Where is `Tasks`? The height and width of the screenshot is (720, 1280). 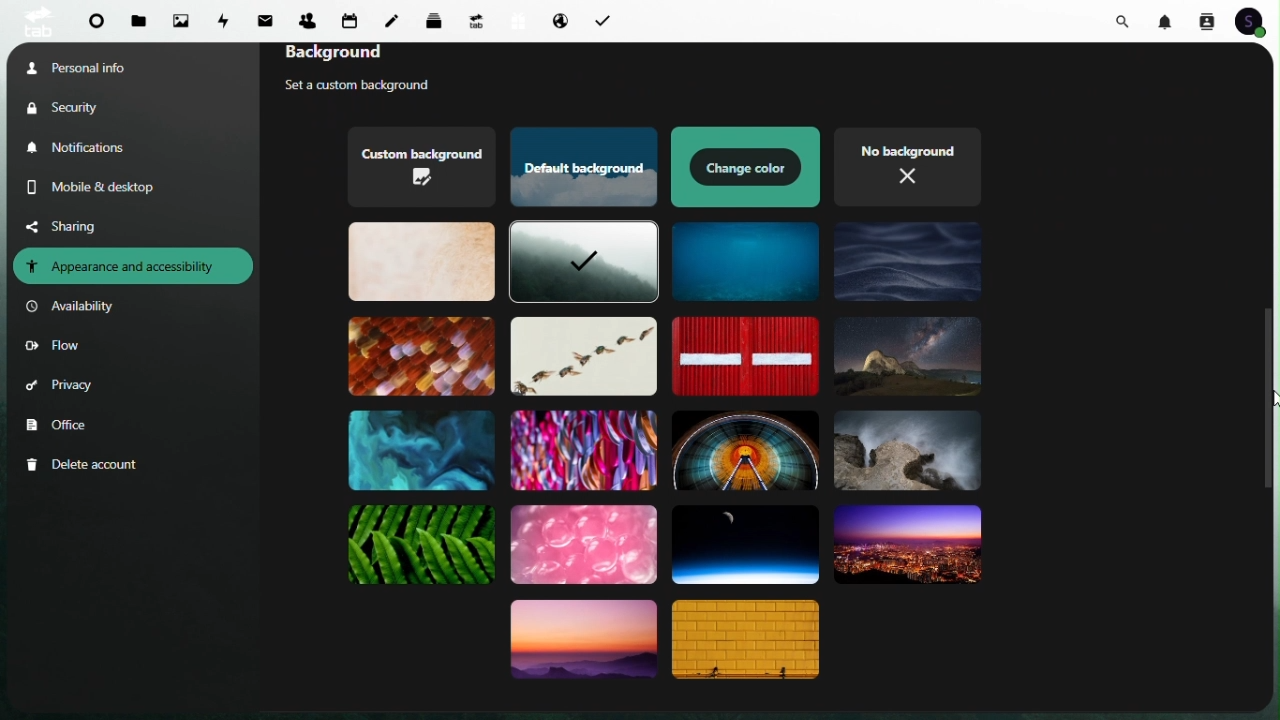 Tasks is located at coordinates (601, 19).